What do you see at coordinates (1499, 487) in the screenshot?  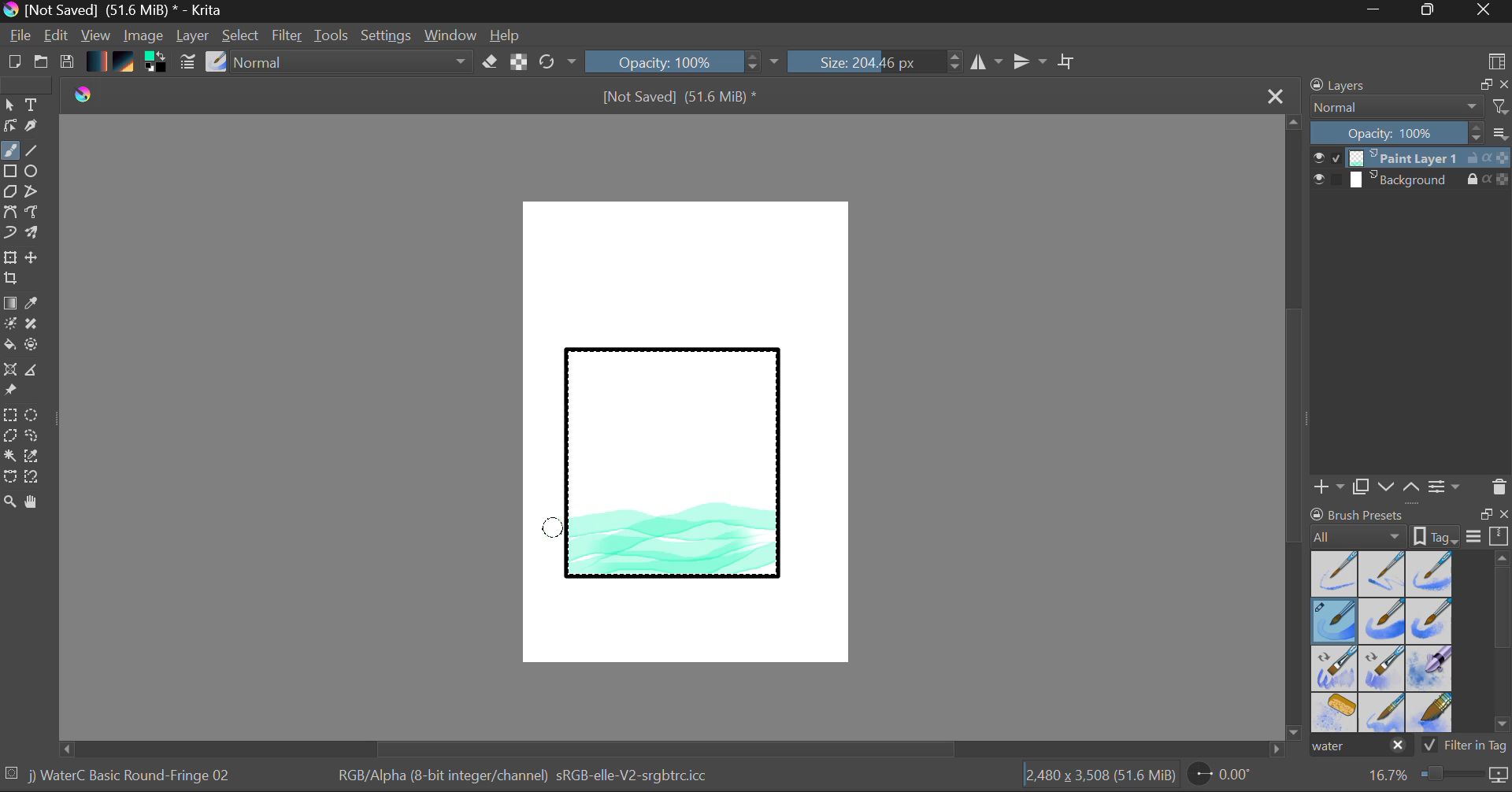 I see `Delete Layer` at bounding box center [1499, 487].